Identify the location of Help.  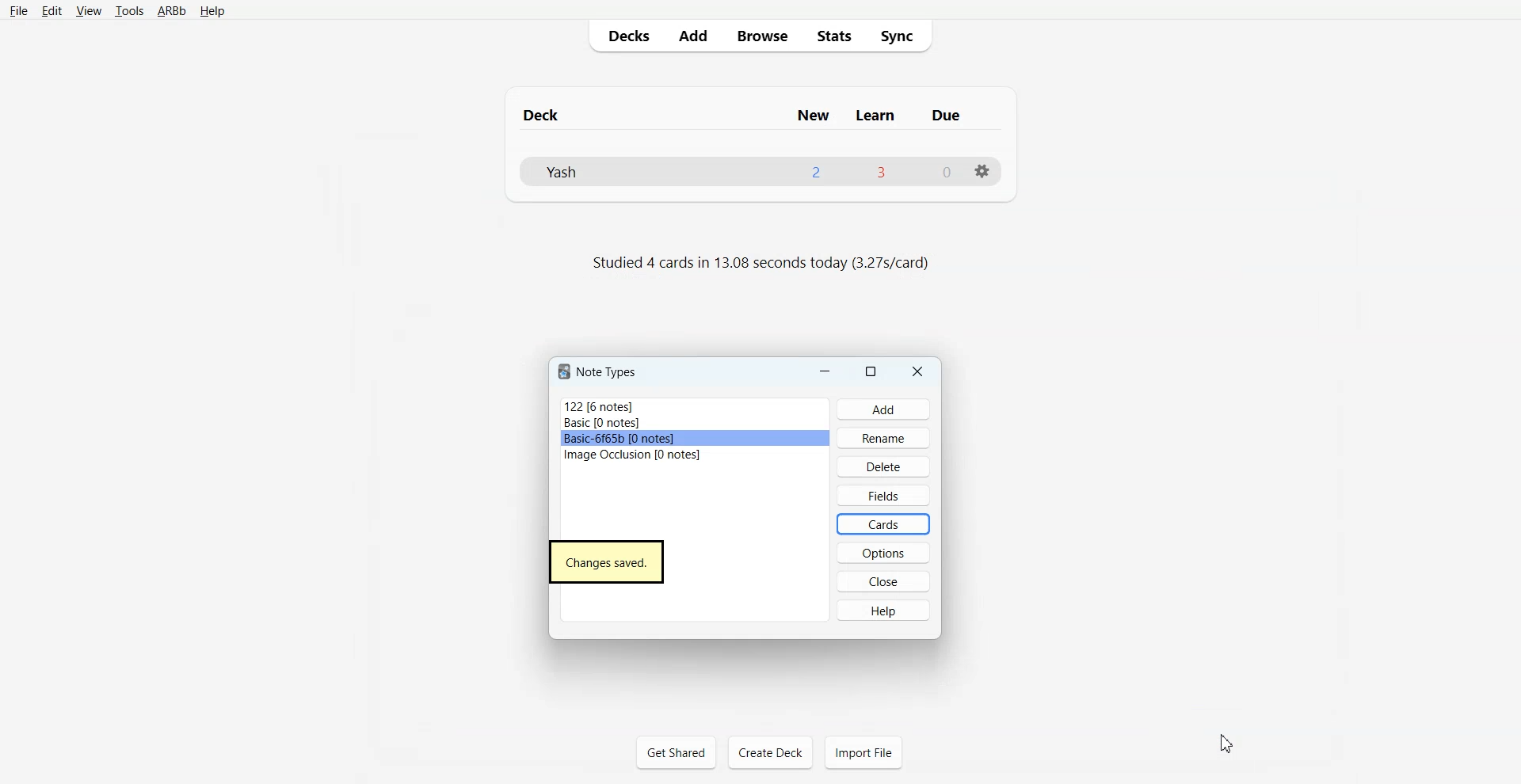
(211, 12).